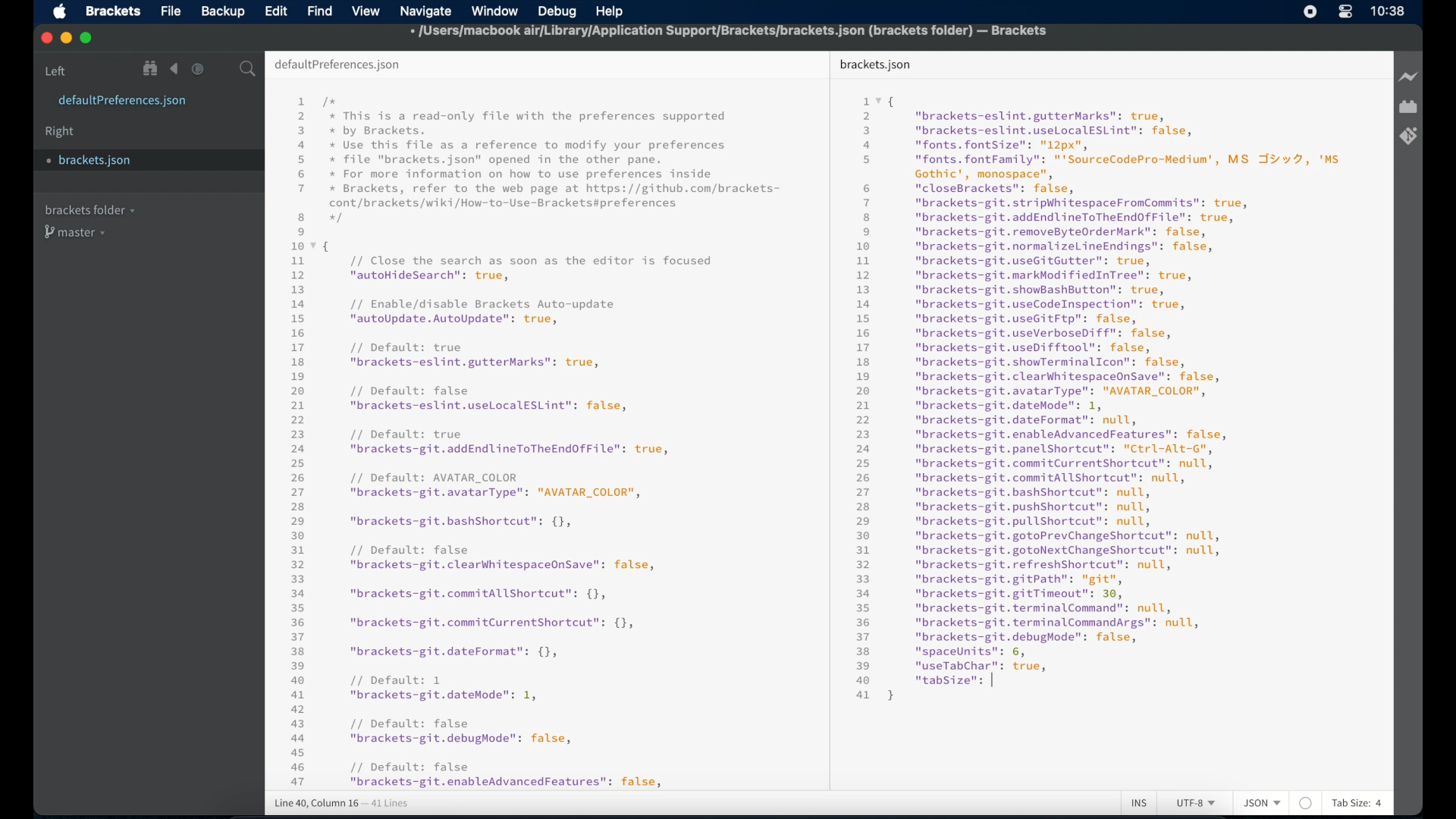 Image resolution: width=1456 pixels, height=819 pixels. I want to click on edit, so click(275, 11).